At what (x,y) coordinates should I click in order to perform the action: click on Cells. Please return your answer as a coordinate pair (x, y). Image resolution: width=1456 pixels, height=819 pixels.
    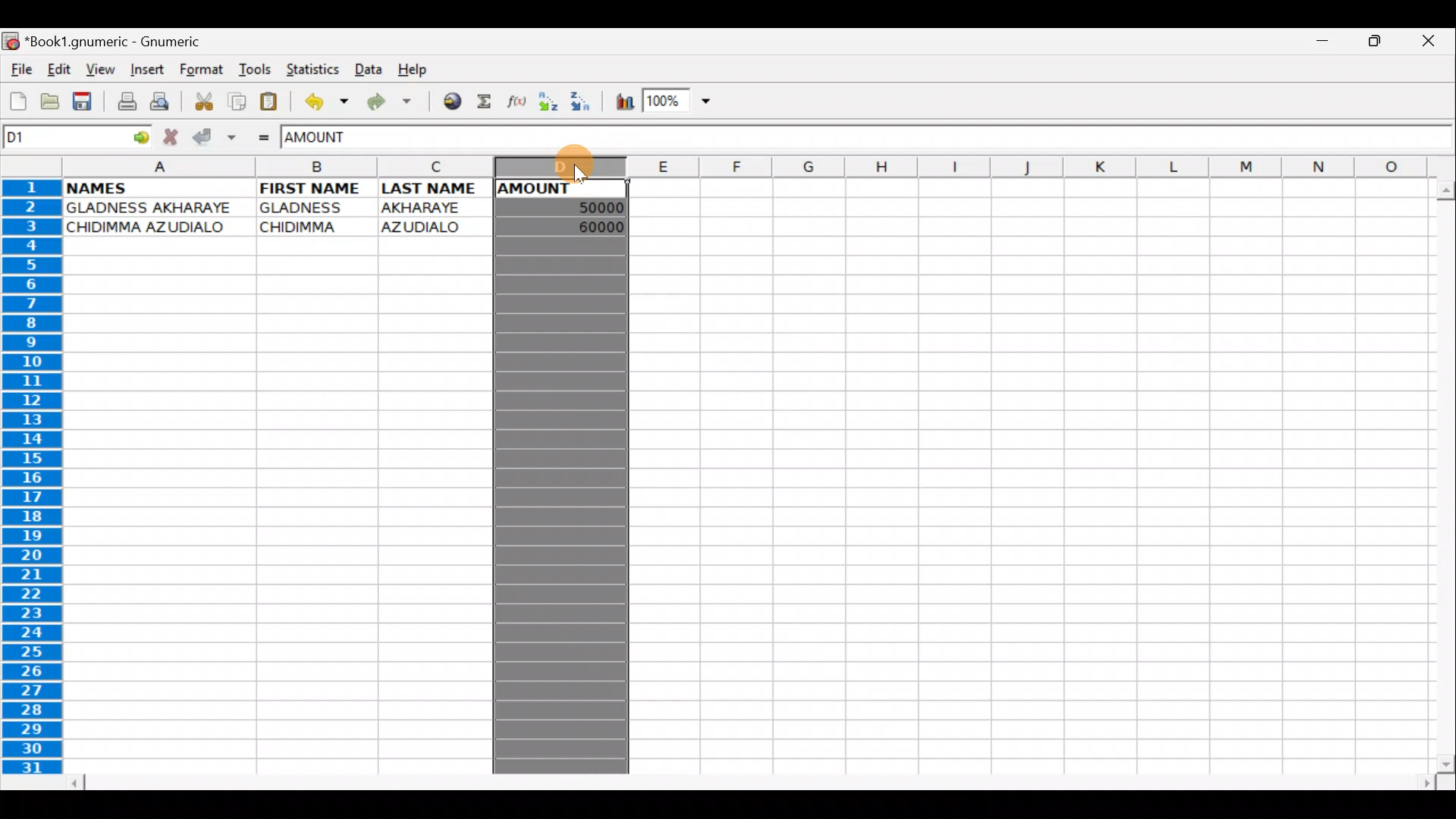
    Looking at the image, I should click on (1022, 471).